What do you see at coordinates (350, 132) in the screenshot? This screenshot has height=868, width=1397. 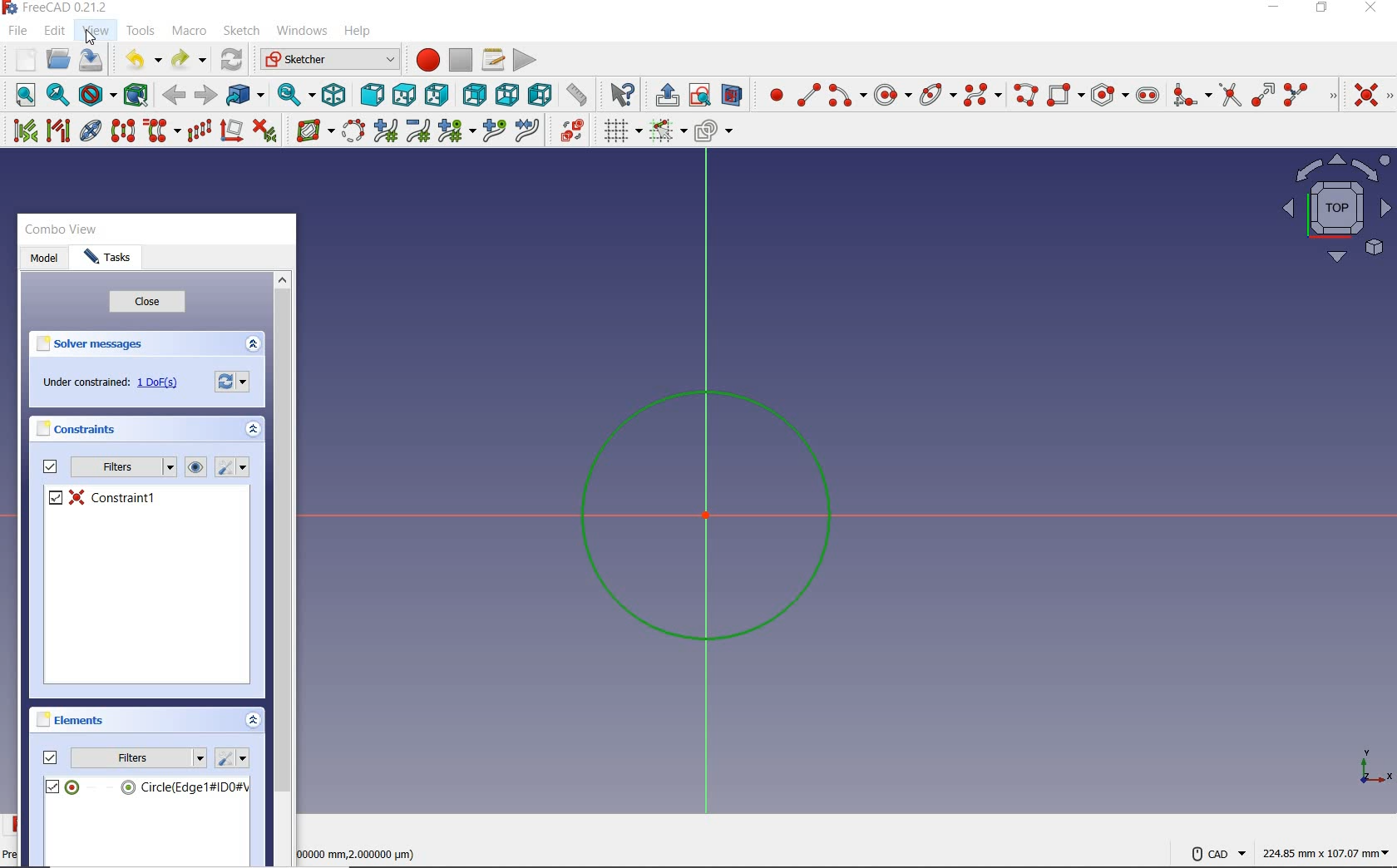 I see `convert geometry to B-spline` at bounding box center [350, 132].